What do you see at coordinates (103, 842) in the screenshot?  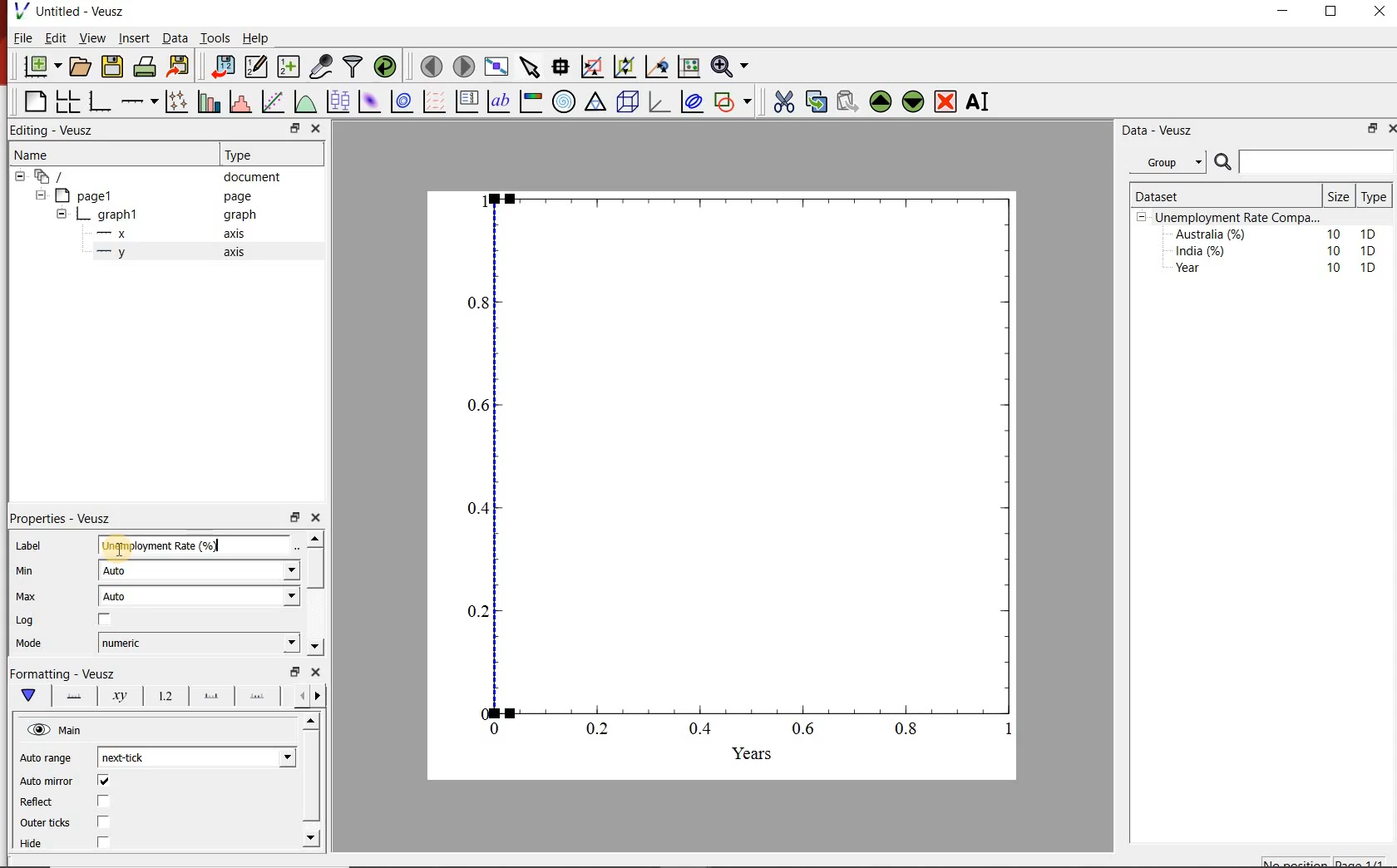 I see `checkbox` at bounding box center [103, 842].